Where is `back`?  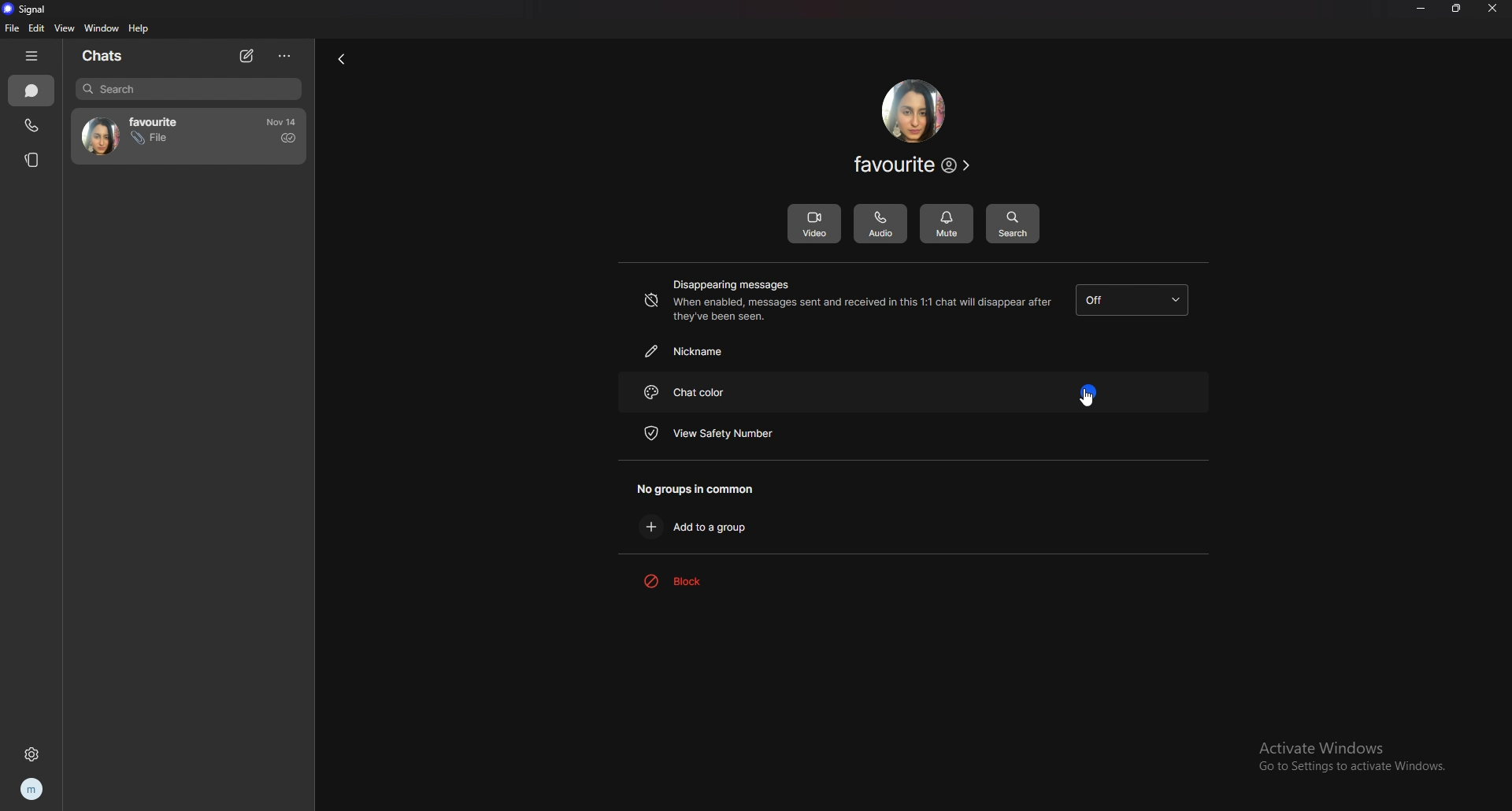 back is located at coordinates (345, 61).